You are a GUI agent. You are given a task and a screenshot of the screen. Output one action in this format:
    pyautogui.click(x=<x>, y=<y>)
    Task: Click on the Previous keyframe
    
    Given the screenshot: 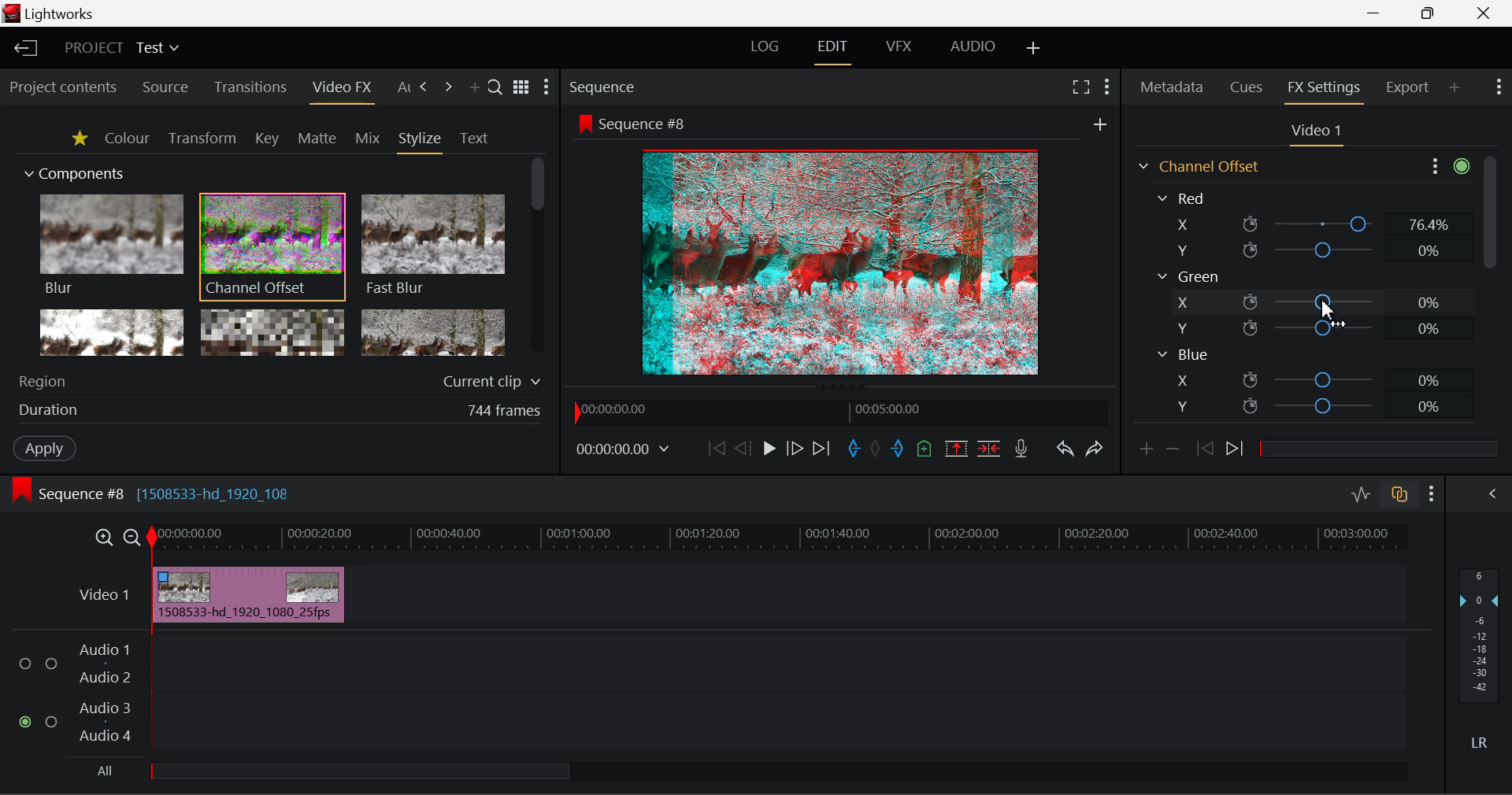 What is the action you would take?
    pyautogui.click(x=1206, y=449)
    